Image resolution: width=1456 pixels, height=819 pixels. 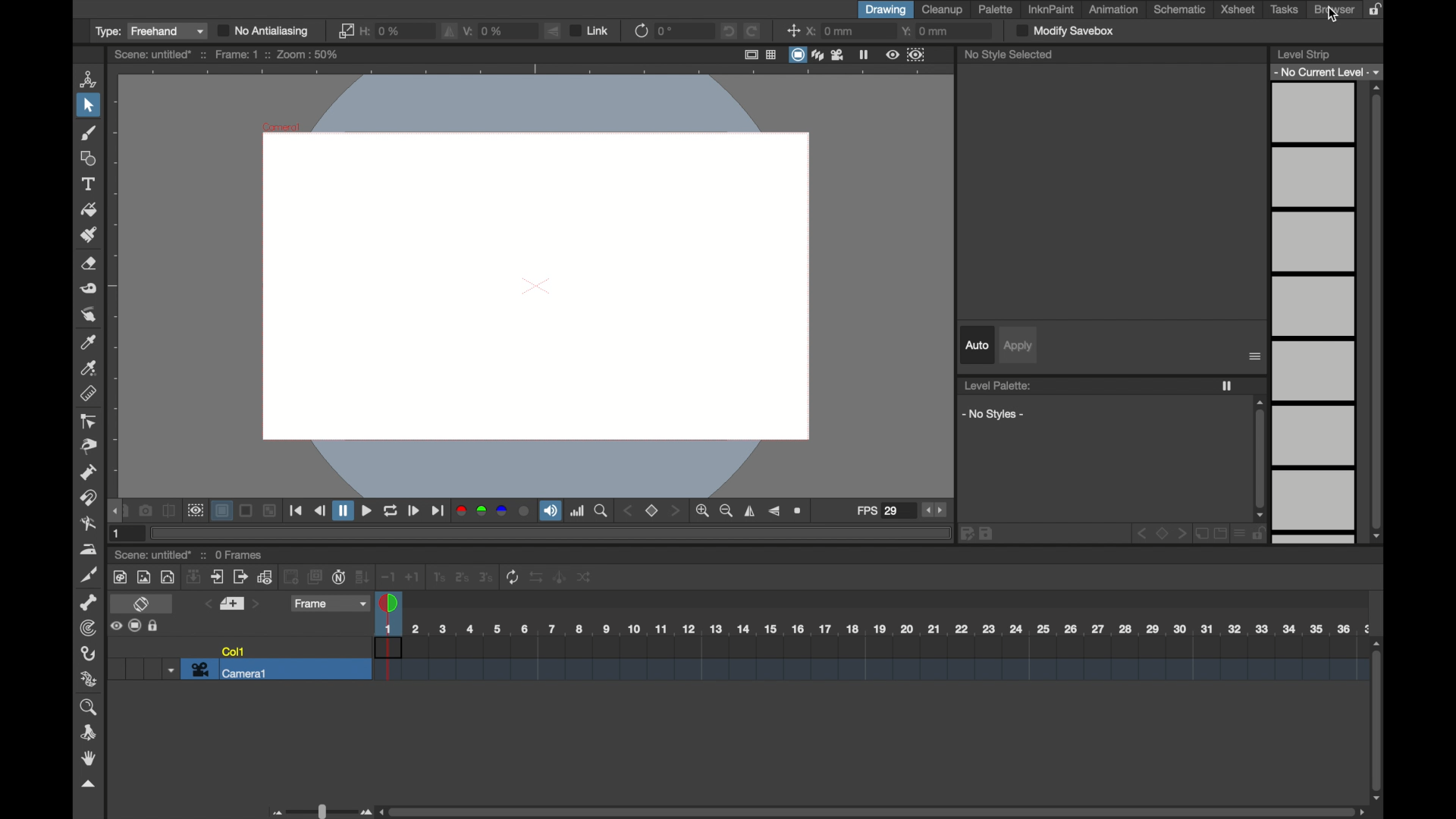 I want to click on front, so click(x=676, y=511).